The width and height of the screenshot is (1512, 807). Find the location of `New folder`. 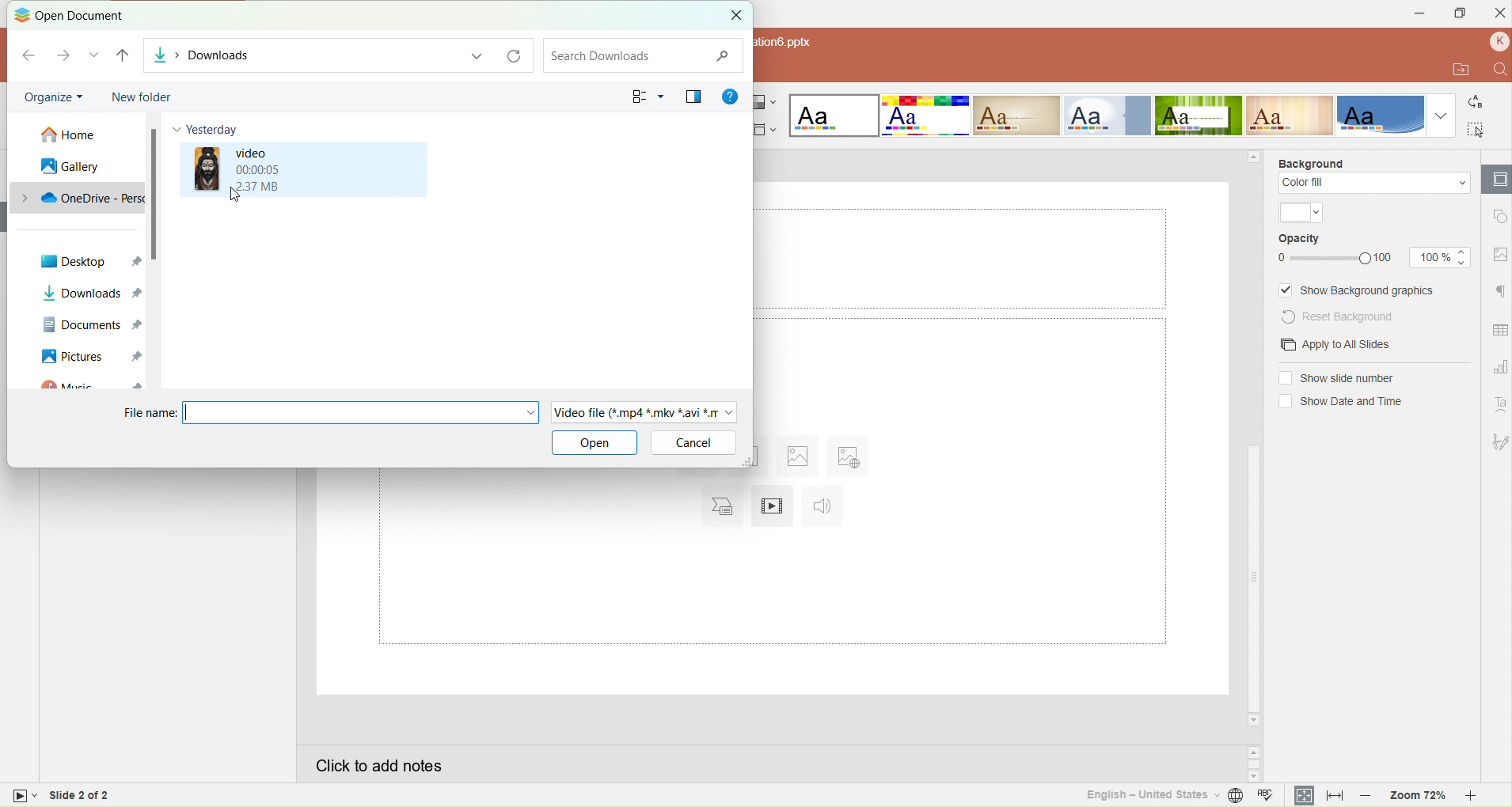

New folder is located at coordinates (140, 97).